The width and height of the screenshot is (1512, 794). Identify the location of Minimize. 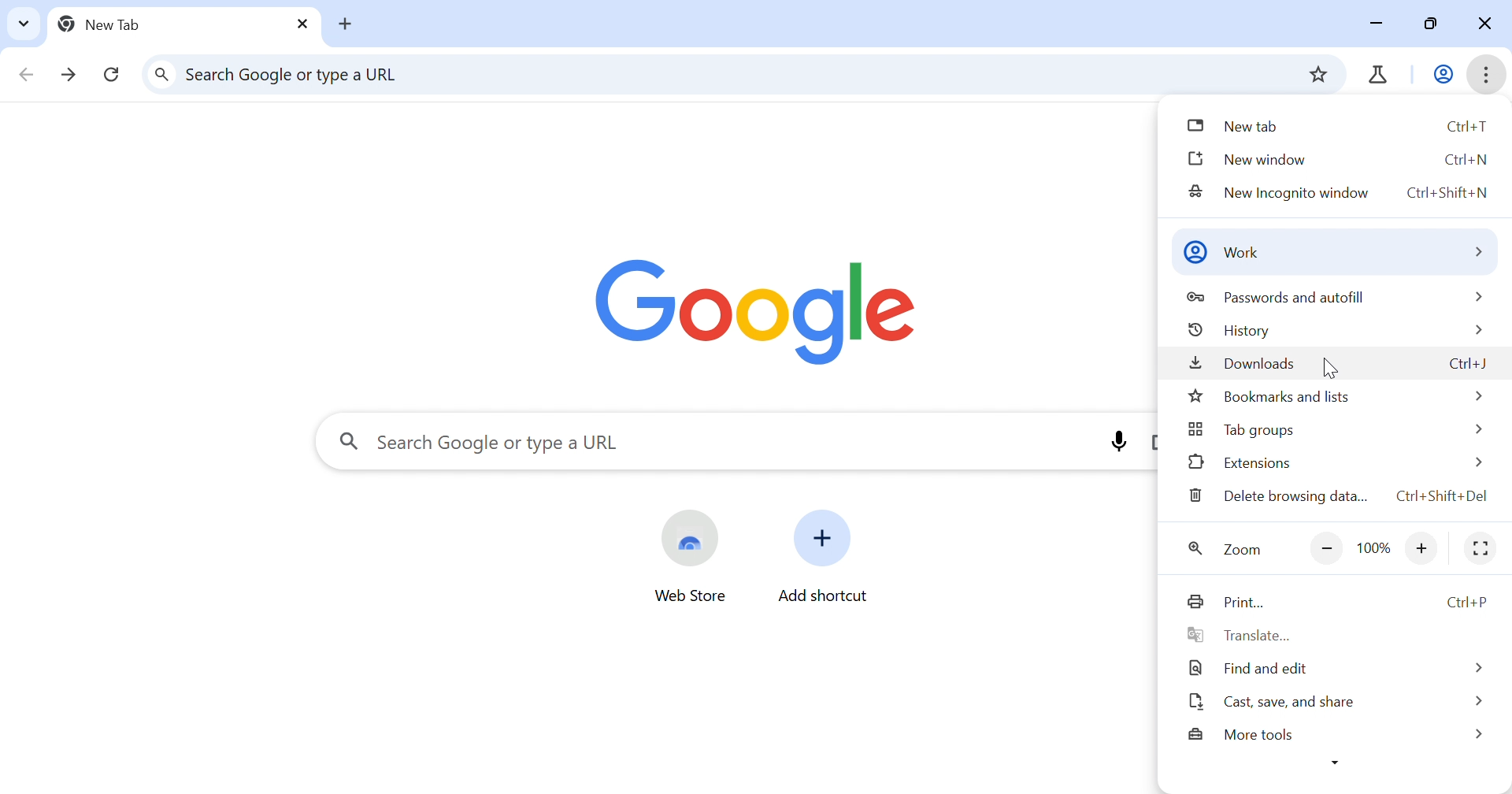
(1381, 25).